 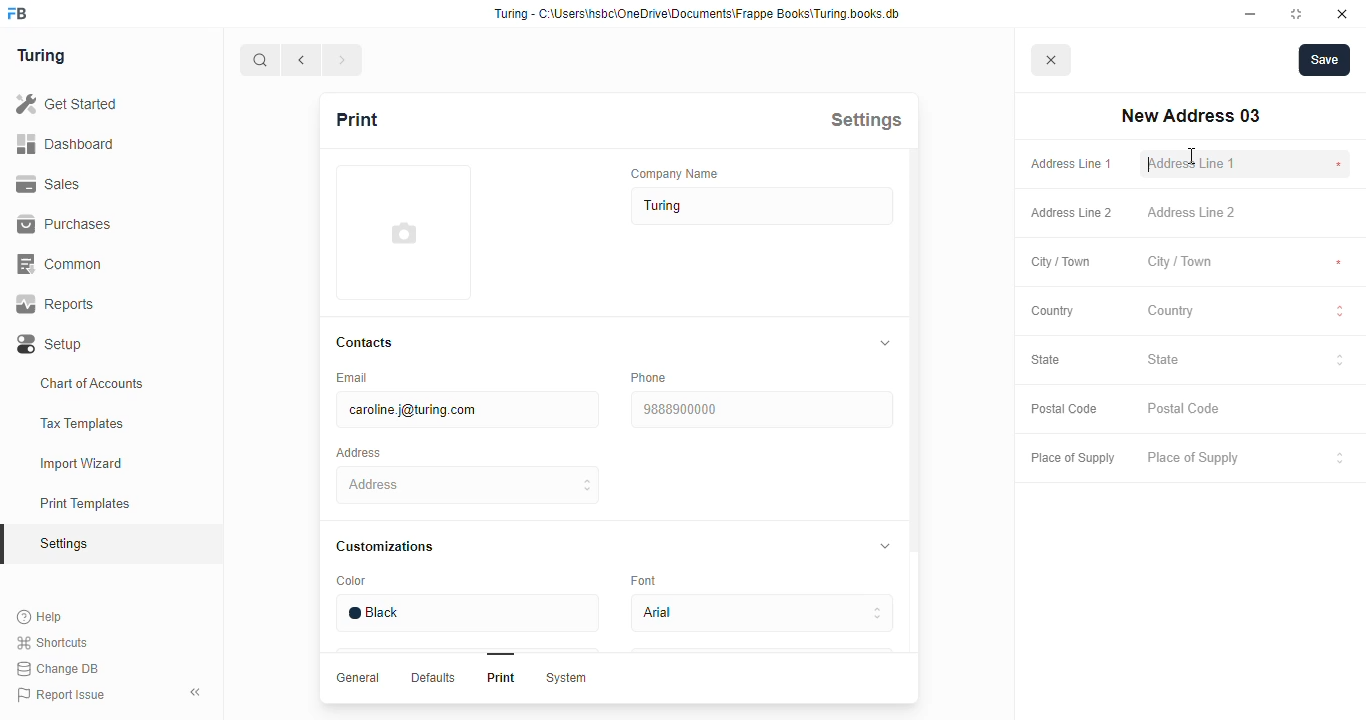 What do you see at coordinates (1192, 156) in the screenshot?
I see `cursor` at bounding box center [1192, 156].